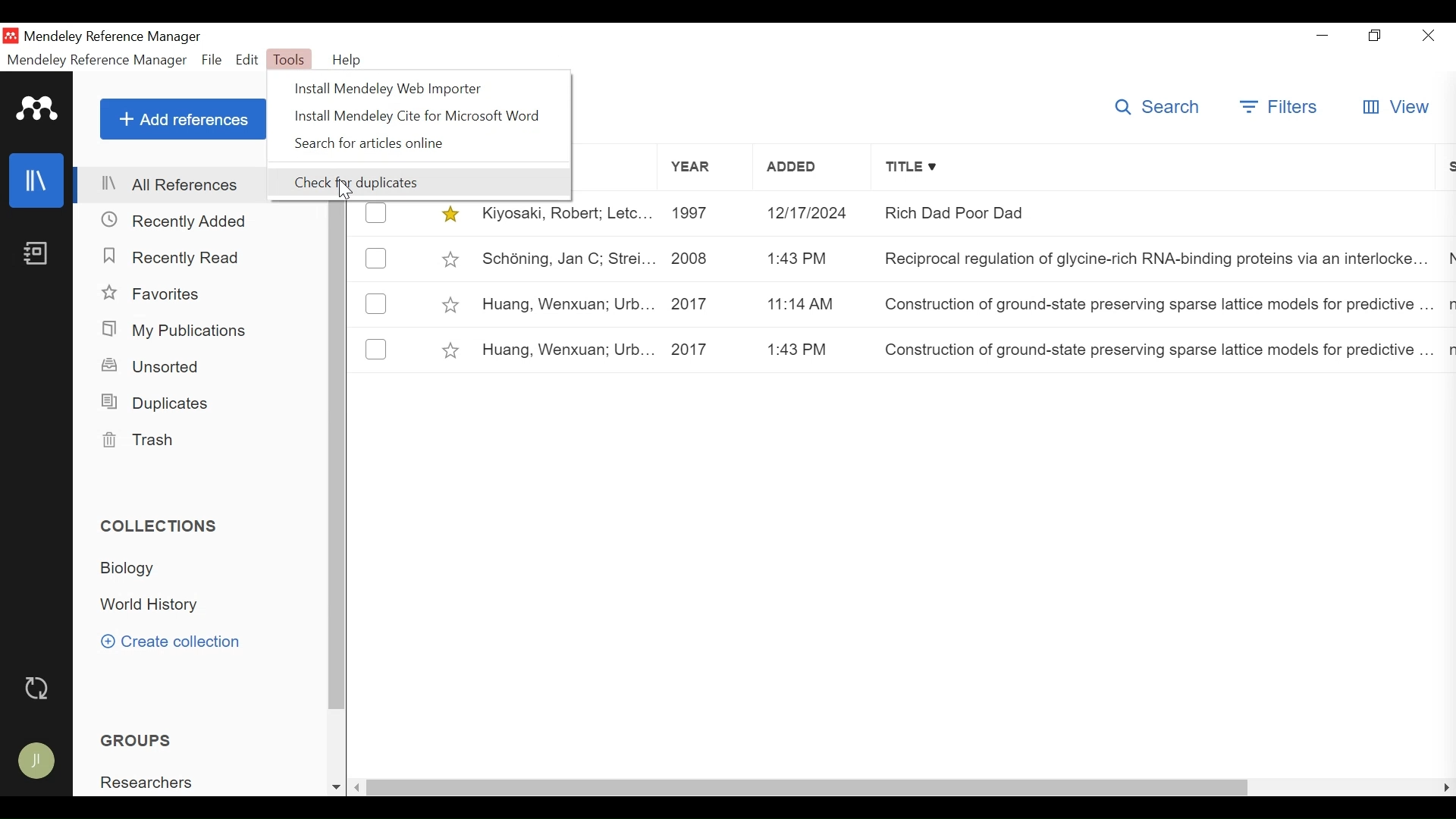 Image resolution: width=1456 pixels, height=819 pixels. I want to click on Cursor, so click(344, 191).